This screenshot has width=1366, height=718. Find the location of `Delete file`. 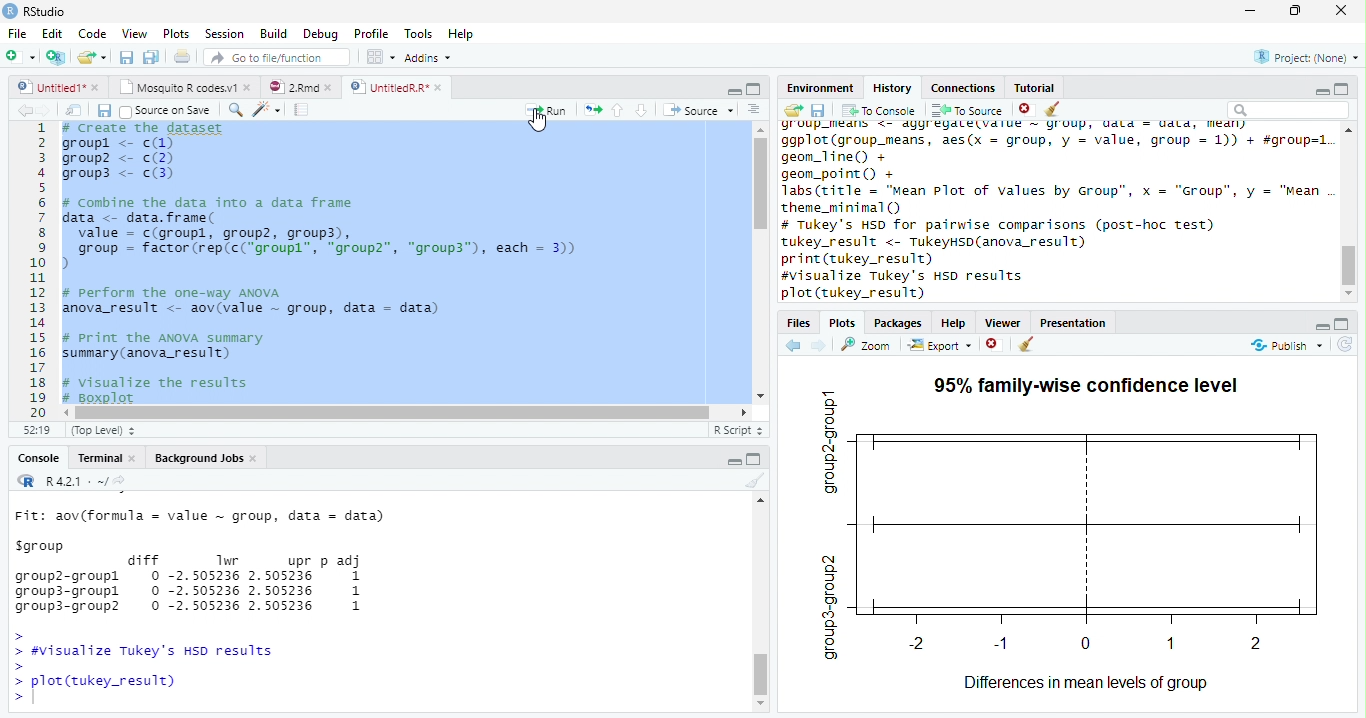

Delete file is located at coordinates (1028, 109).